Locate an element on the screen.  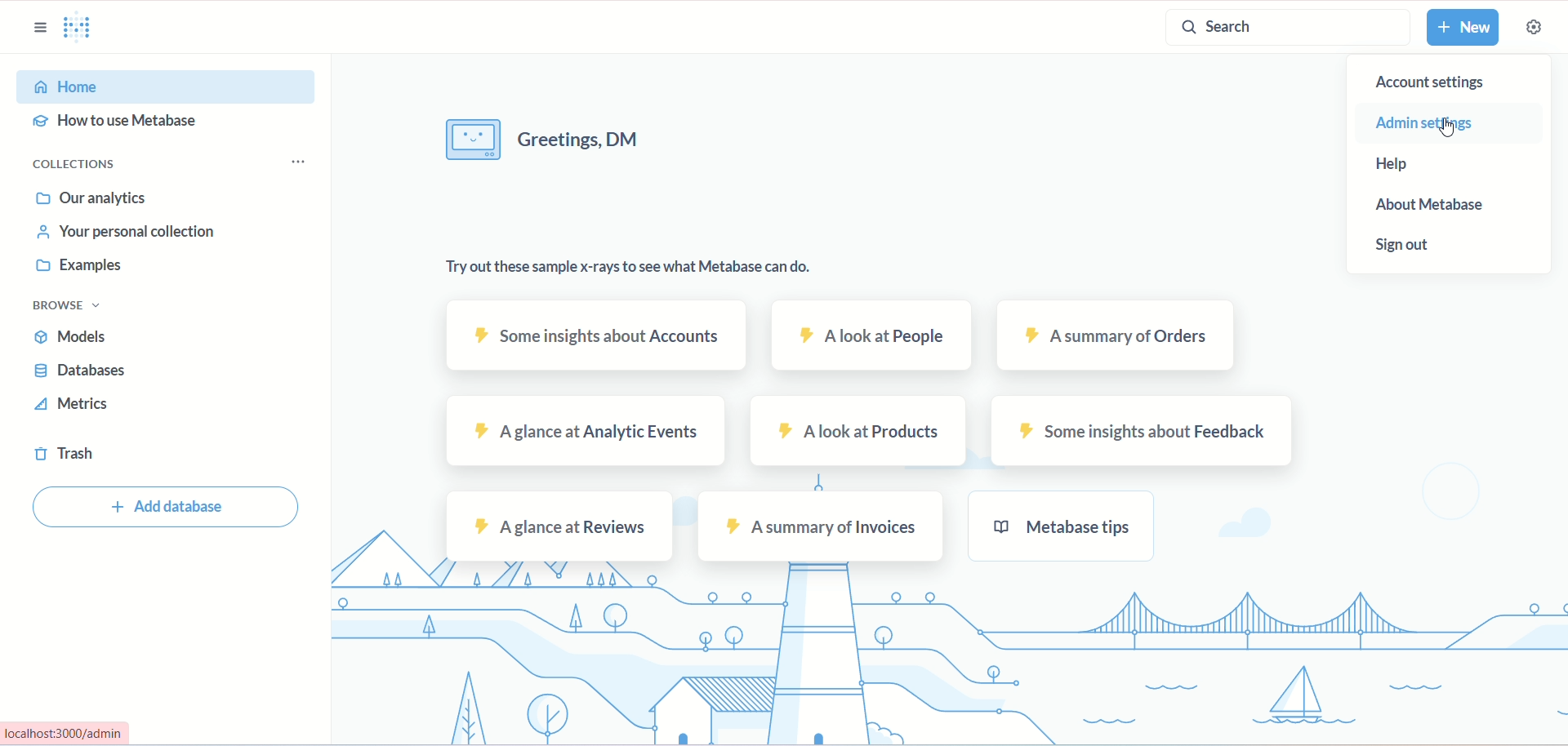
our analytics is located at coordinates (91, 199).